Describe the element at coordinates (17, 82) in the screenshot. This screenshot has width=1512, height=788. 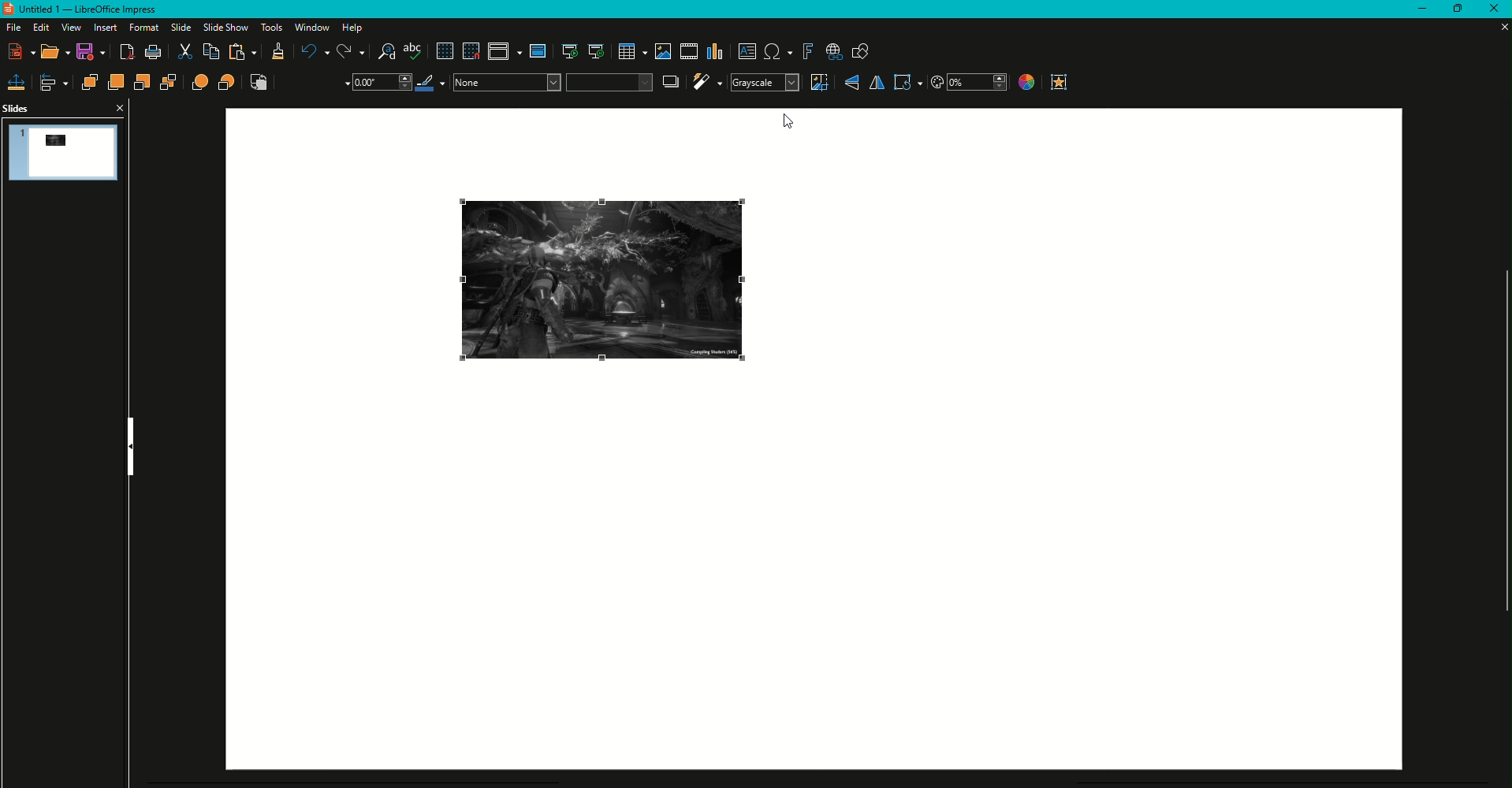
I see `Position and Size` at that location.